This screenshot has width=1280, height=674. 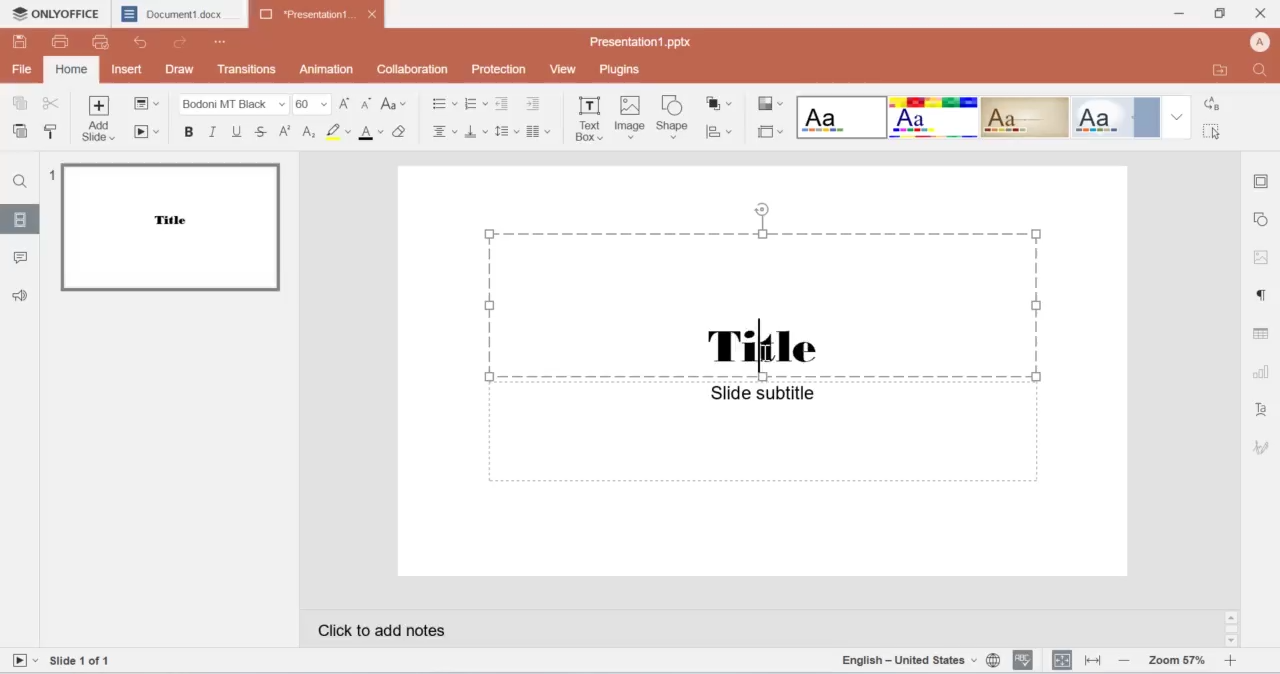 I want to click on font size, so click(x=314, y=103).